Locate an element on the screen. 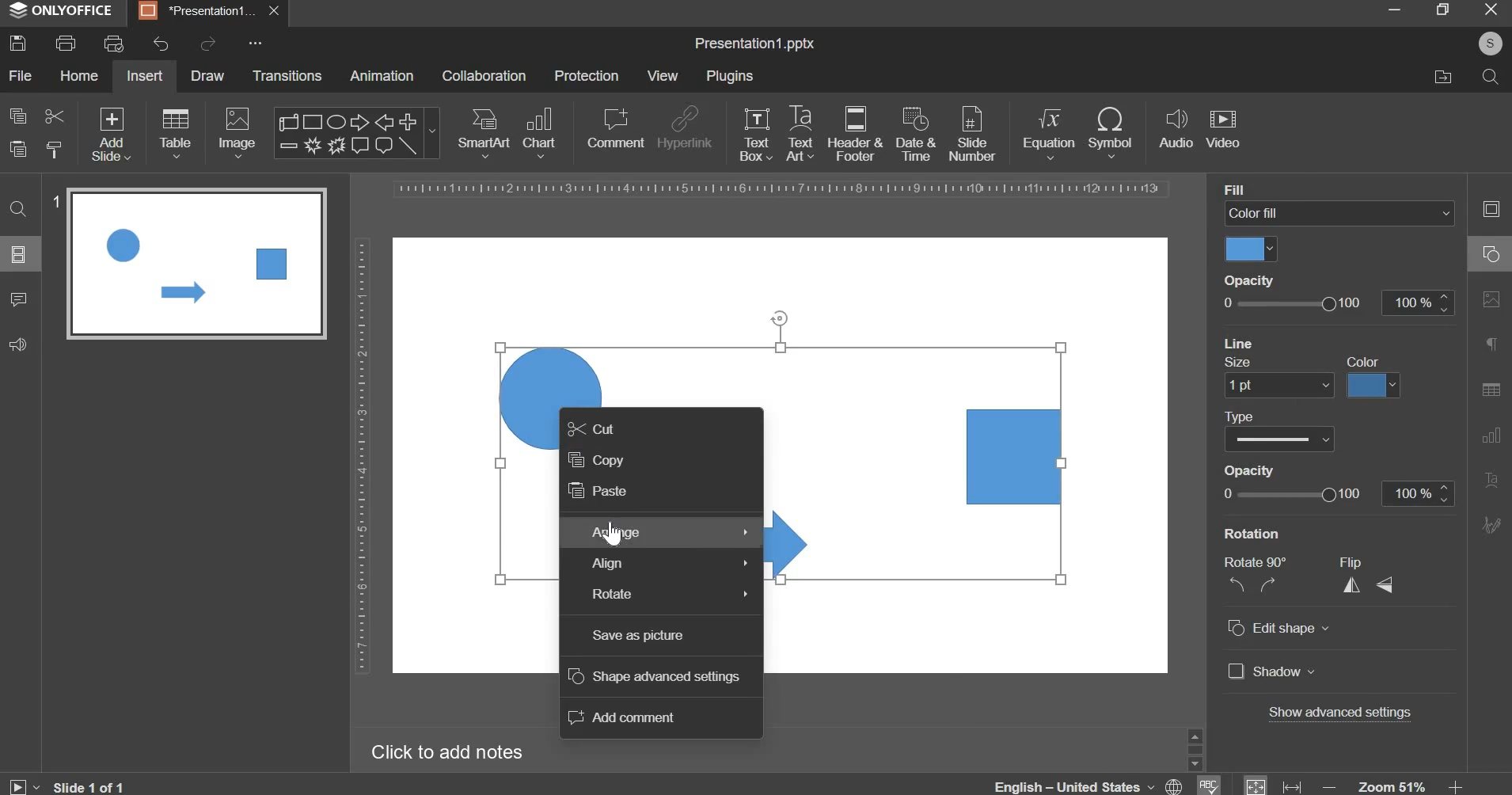  edit shape is located at coordinates (1278, 629).